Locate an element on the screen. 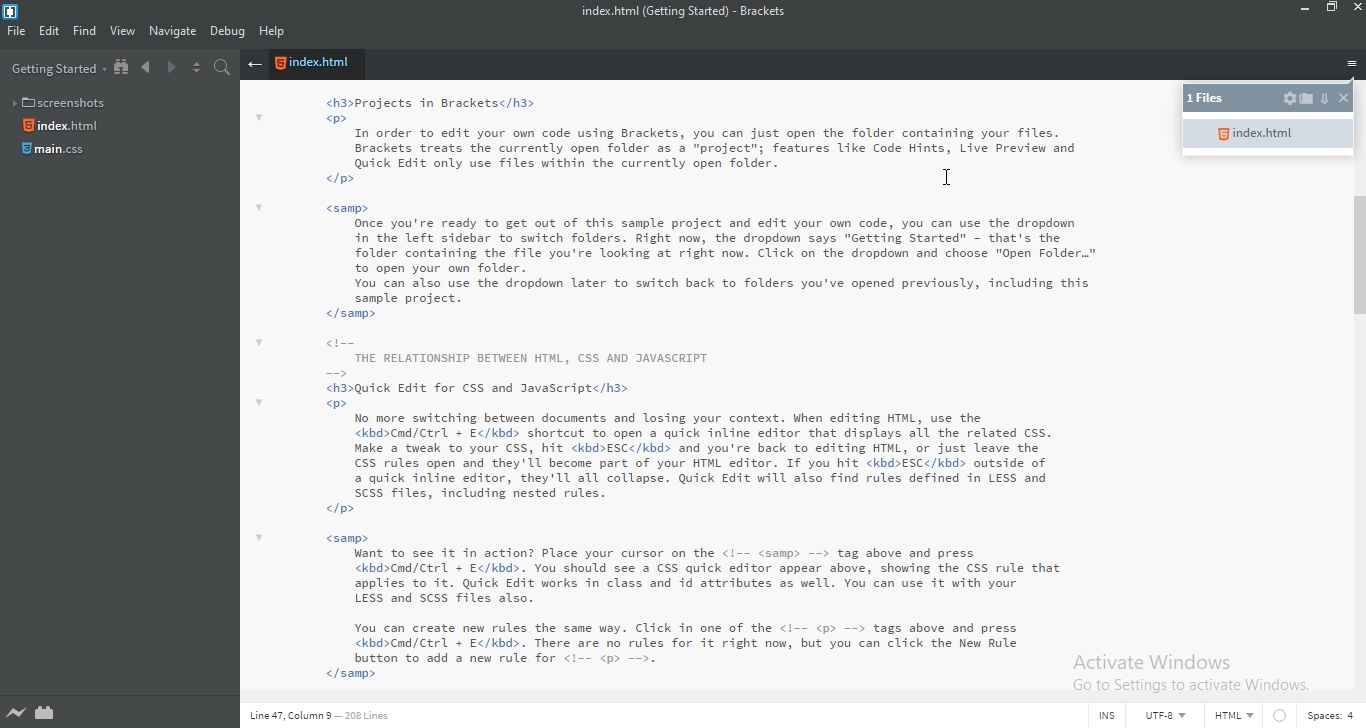 The image size is (1366, 728). Index.html is located at coordinates (64, 126).